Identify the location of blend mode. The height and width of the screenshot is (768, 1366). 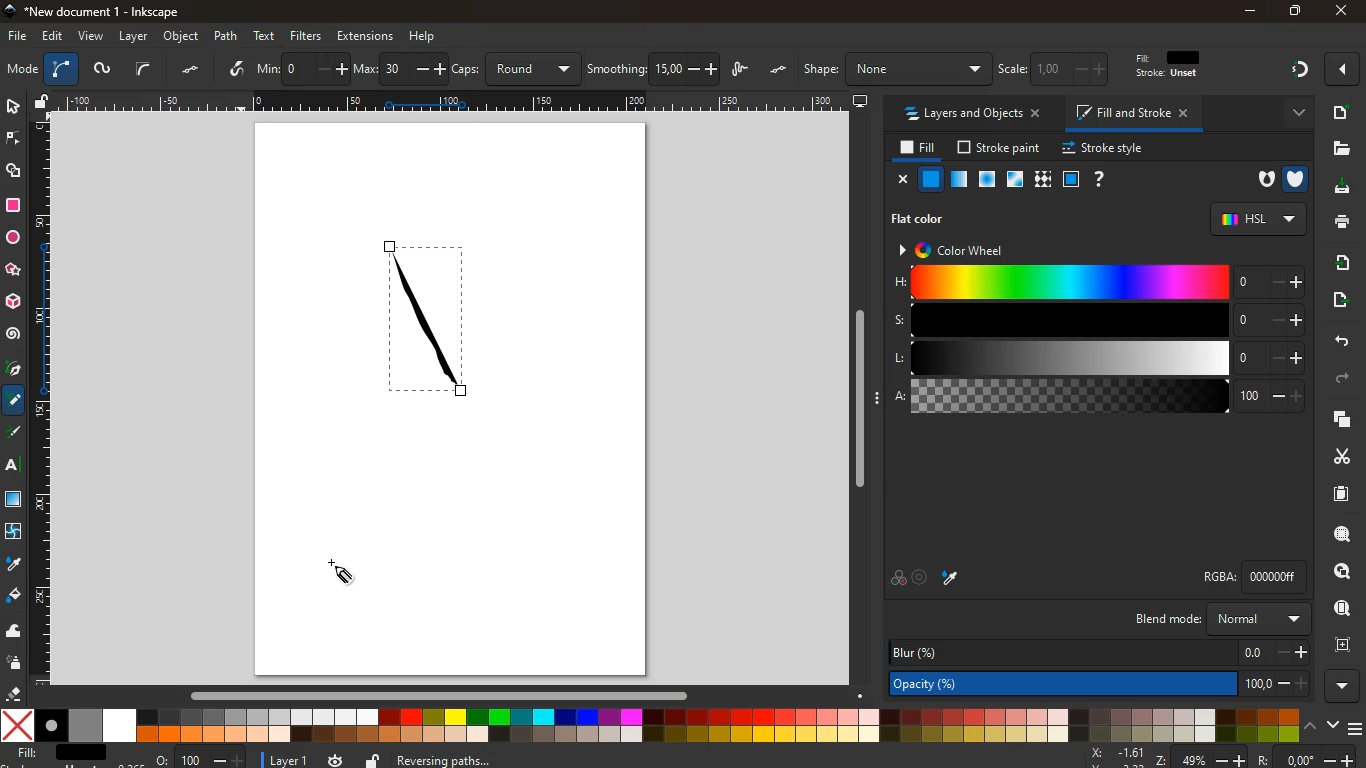
(1219, 619).